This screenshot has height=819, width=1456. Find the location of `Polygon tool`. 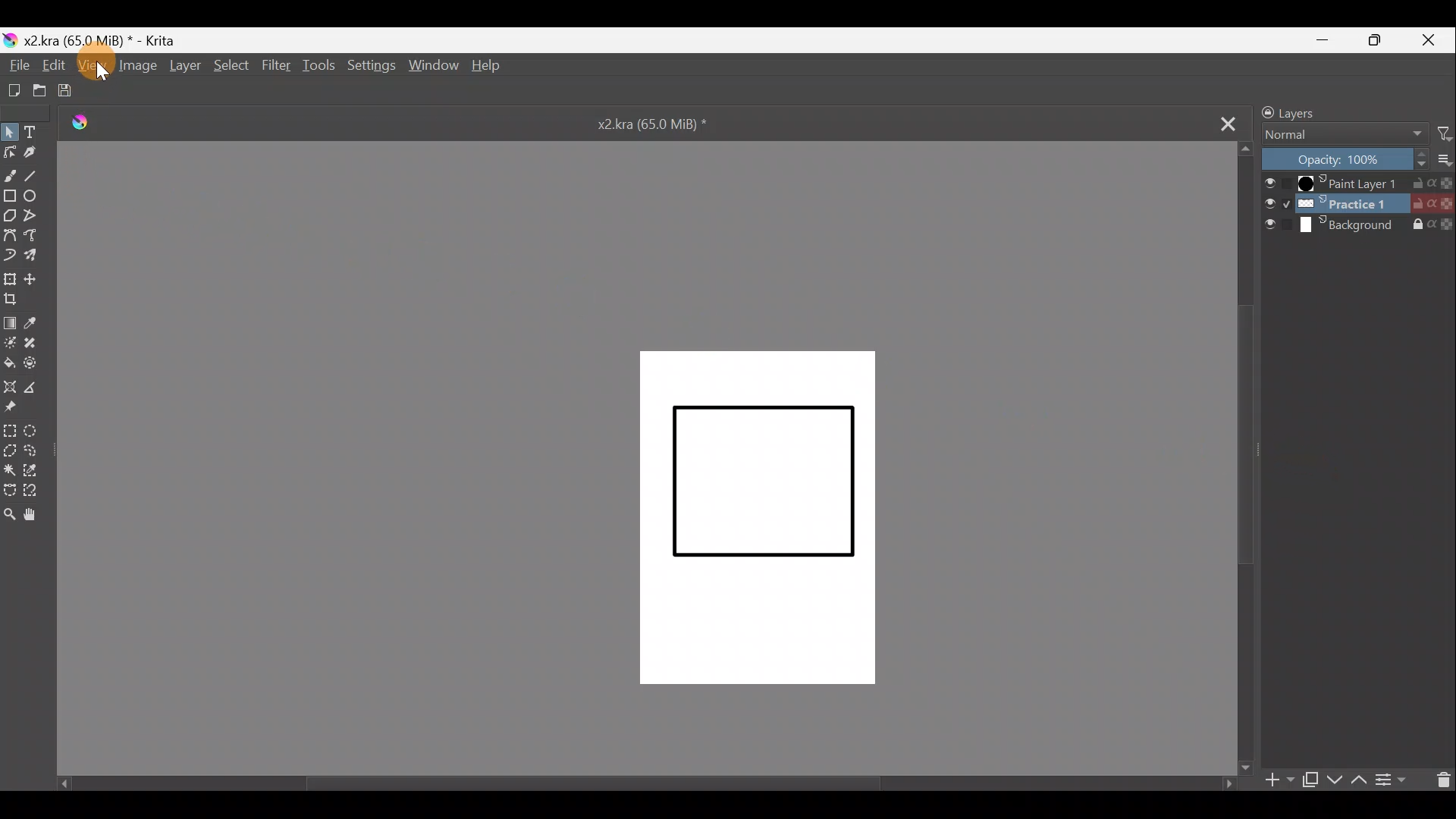

Polygon tool is located at coordinates (10, 214).